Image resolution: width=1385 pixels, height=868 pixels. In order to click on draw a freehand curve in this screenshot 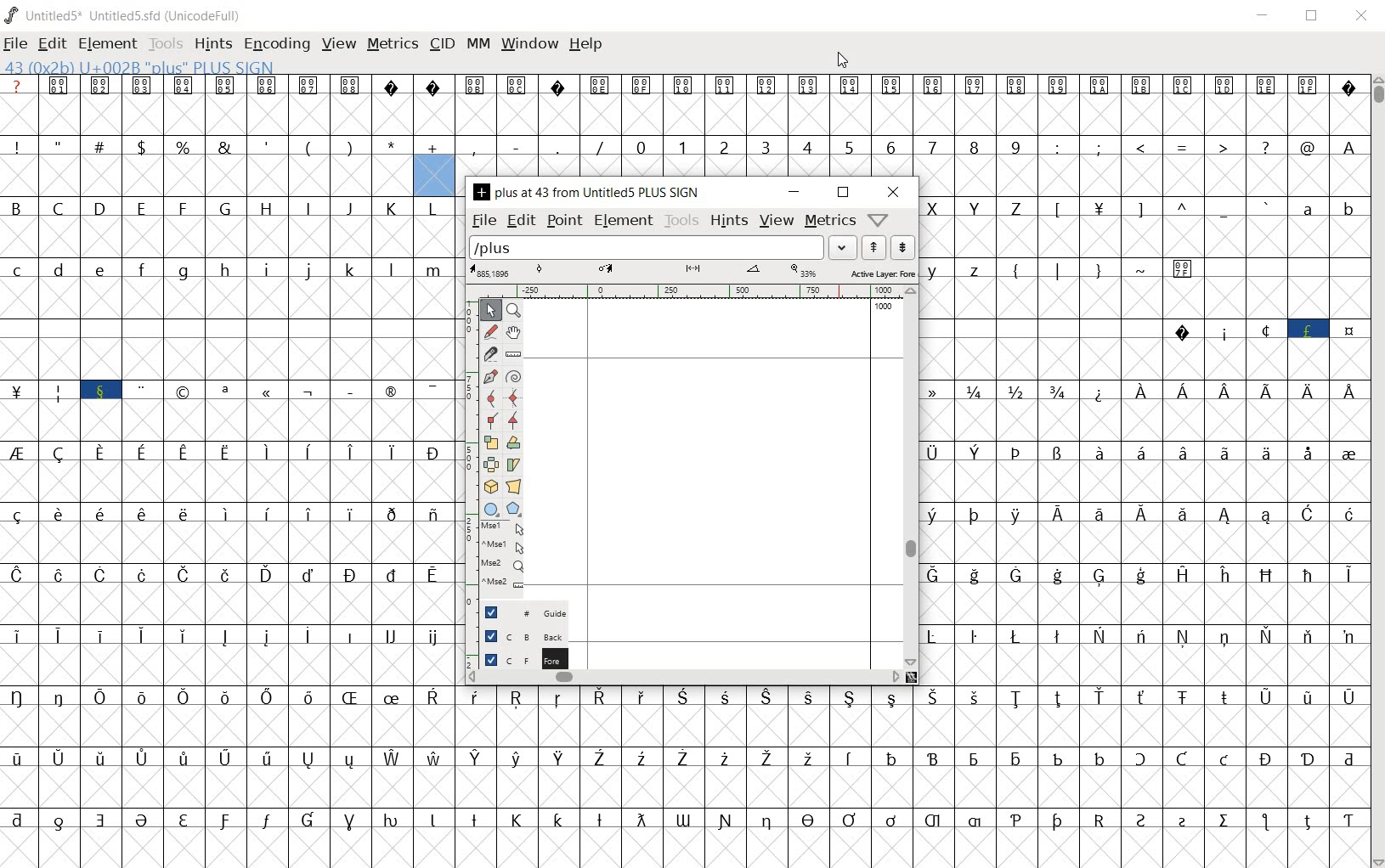, I will do `click(490, 330)`.